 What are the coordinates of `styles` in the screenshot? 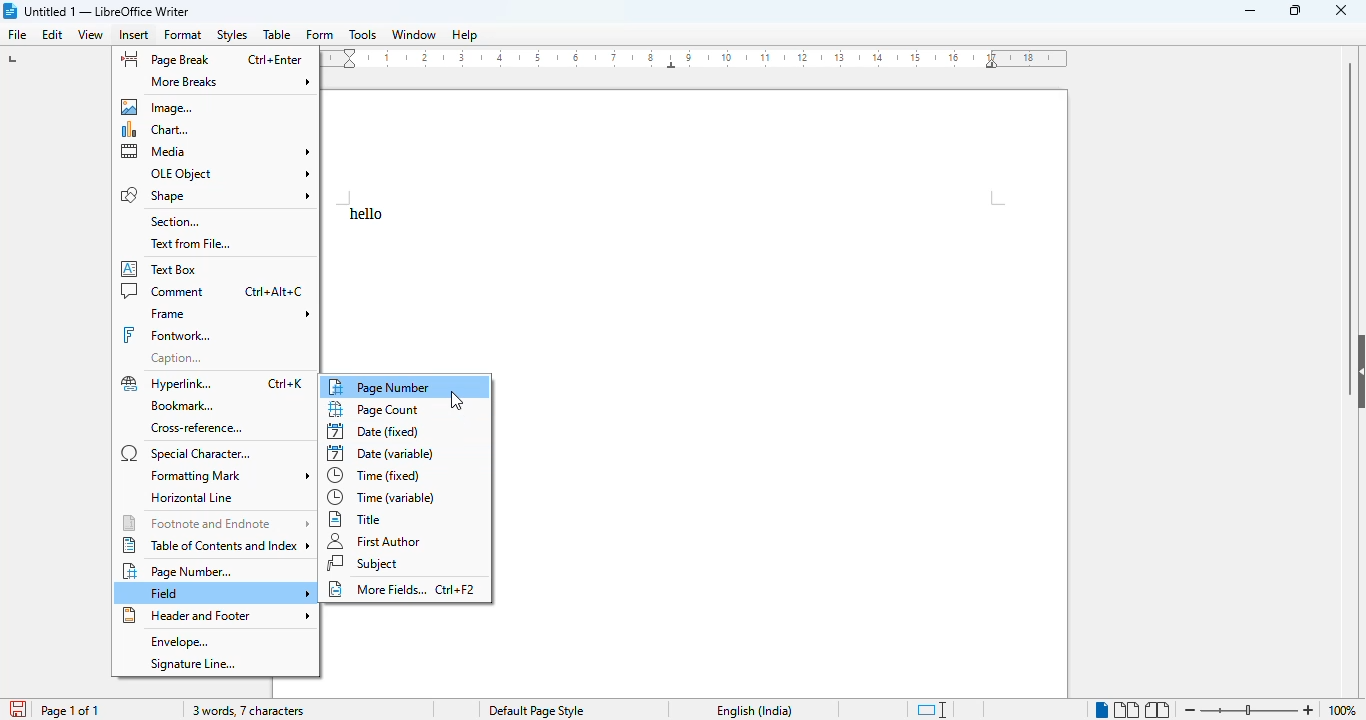 It's located at (233, 35).